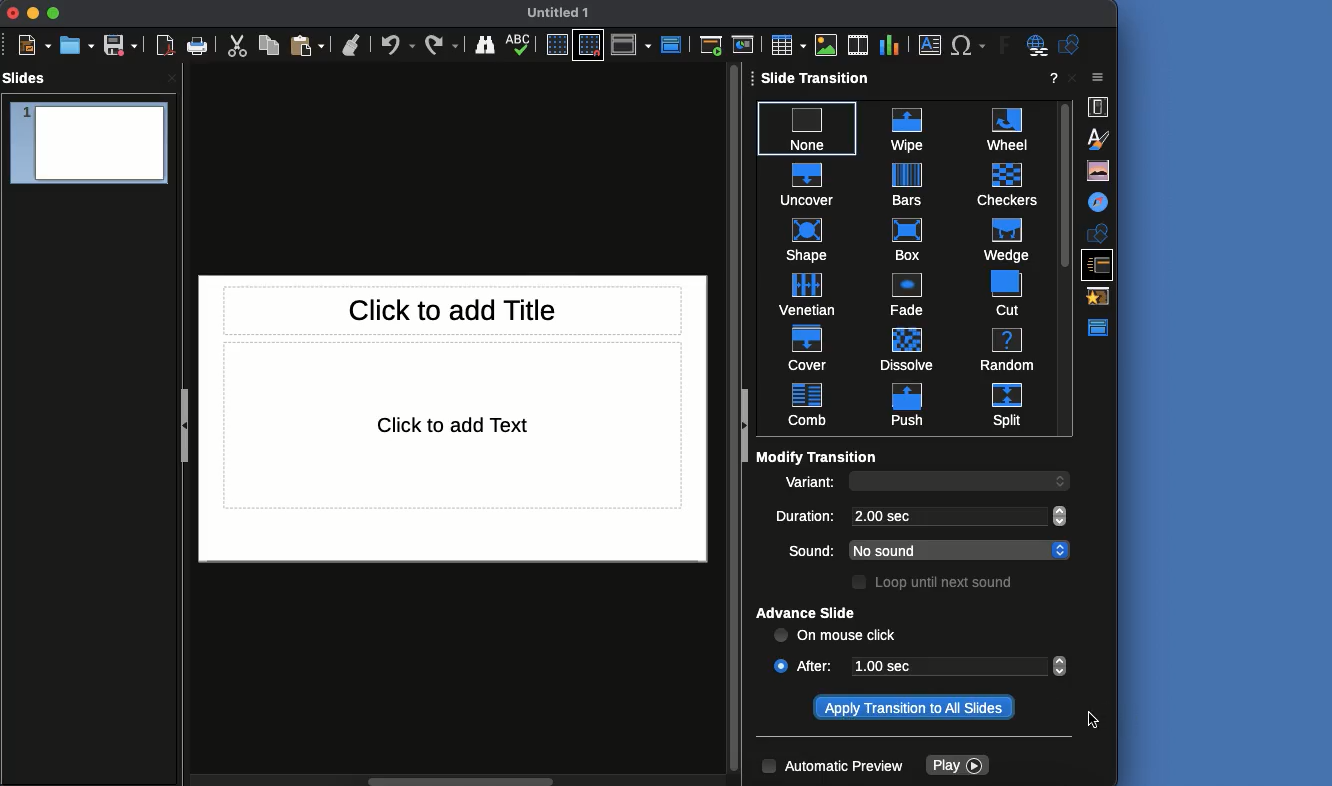  What do you see at coordinates (1062, 550) in the screenshot?
I see `scroll` at bounding box center [1062, 550].